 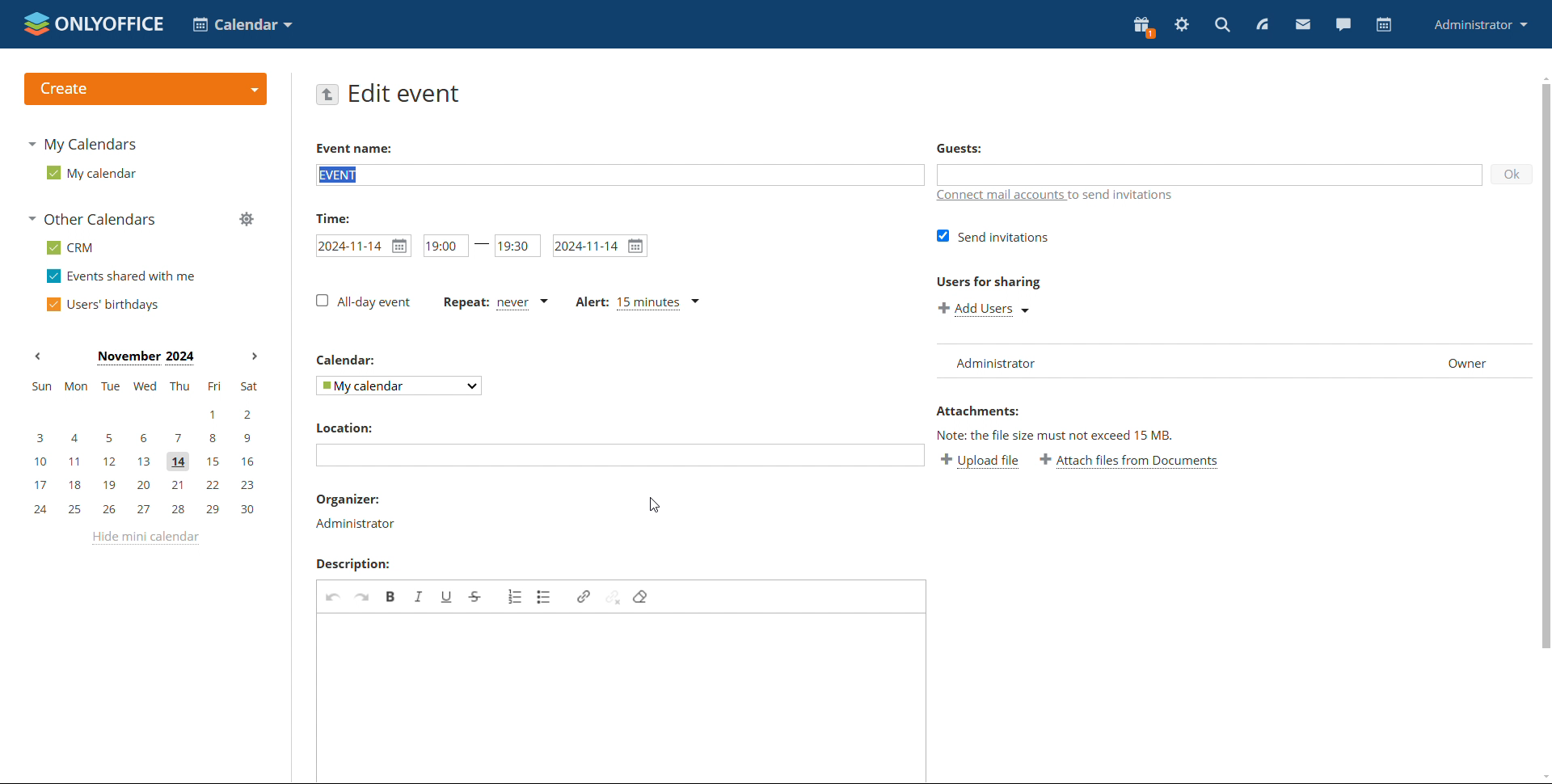 What do you see at coordinates (584, 595) in the screenshot?
I see `link` at bounding box center [584, 595].